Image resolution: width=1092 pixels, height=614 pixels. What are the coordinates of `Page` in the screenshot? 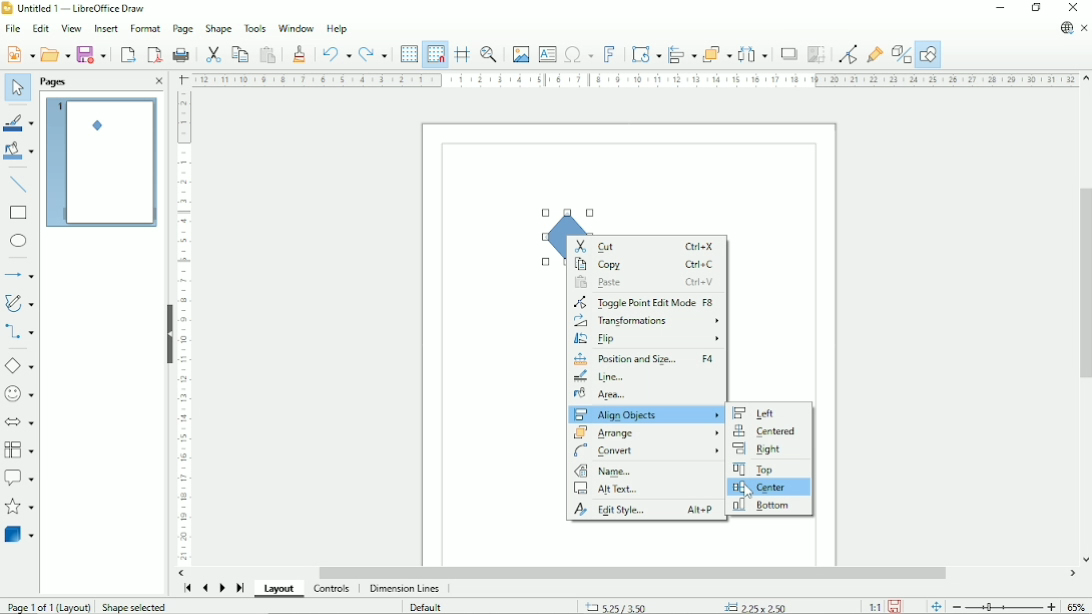 It's located at (181, 28).